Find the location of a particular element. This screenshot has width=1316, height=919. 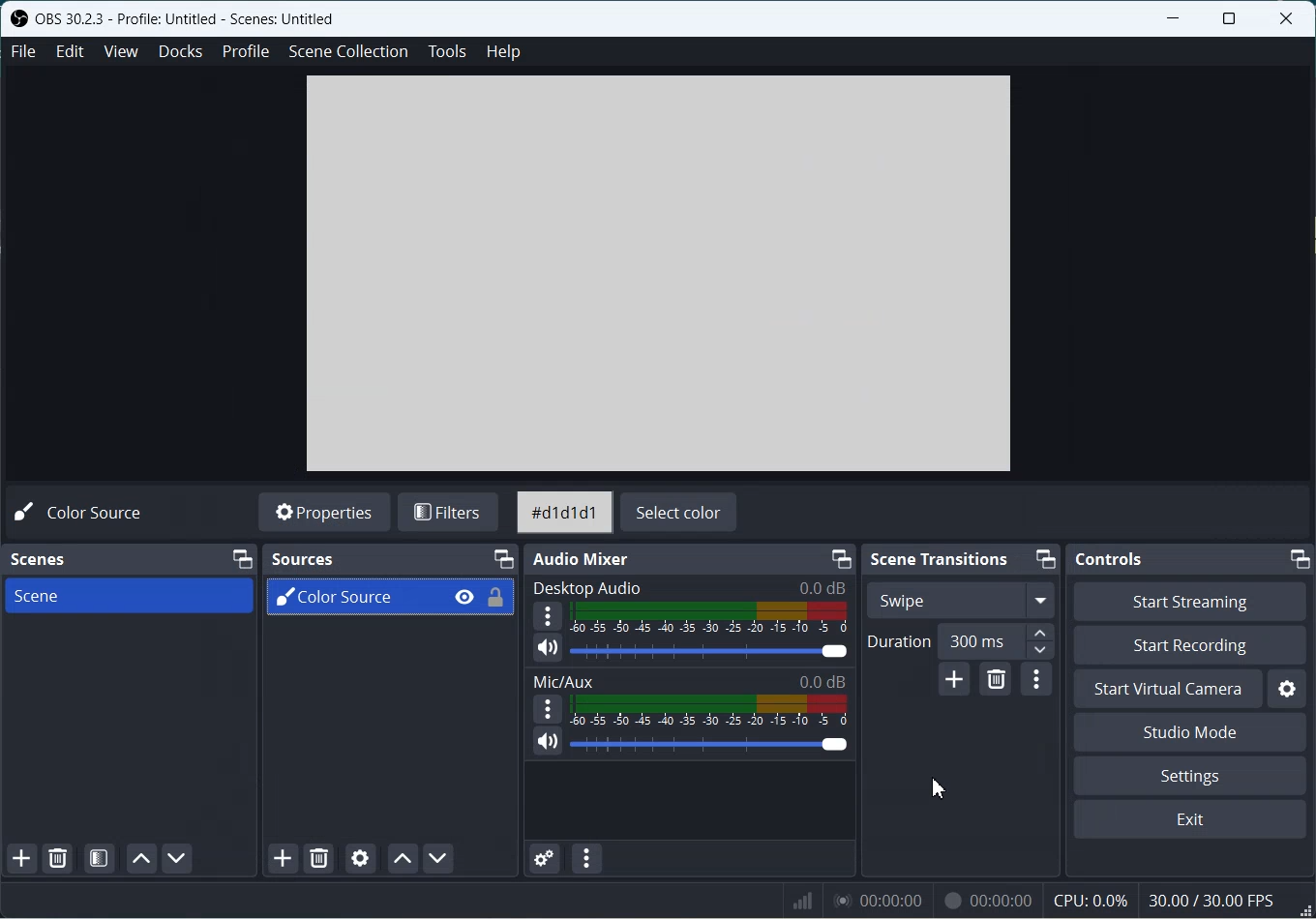

Audio Mixer is located at coordinates (581, 558).